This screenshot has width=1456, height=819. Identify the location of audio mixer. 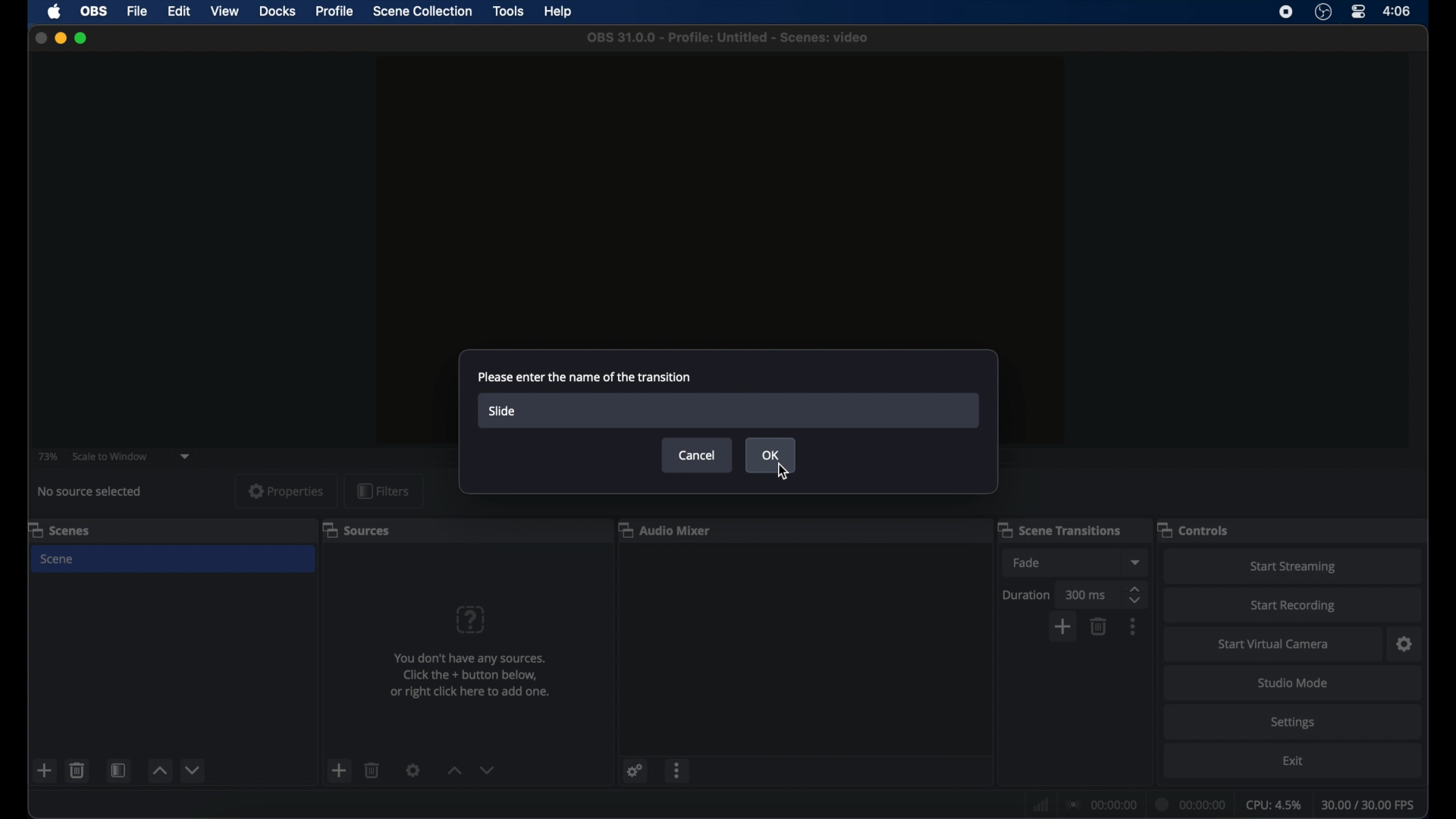
(668, 531).